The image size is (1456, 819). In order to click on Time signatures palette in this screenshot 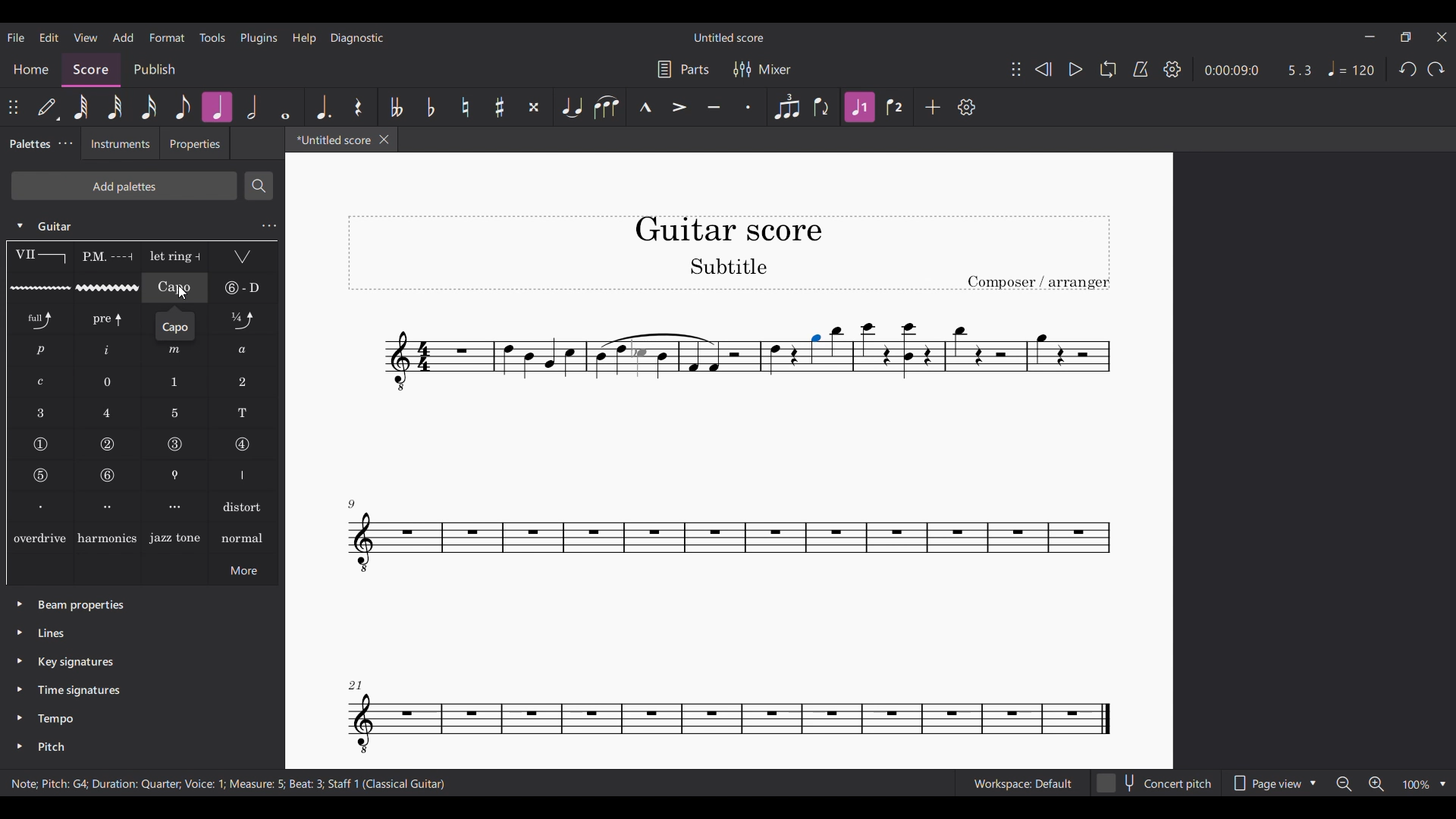, I will do `click(79, 690)`.